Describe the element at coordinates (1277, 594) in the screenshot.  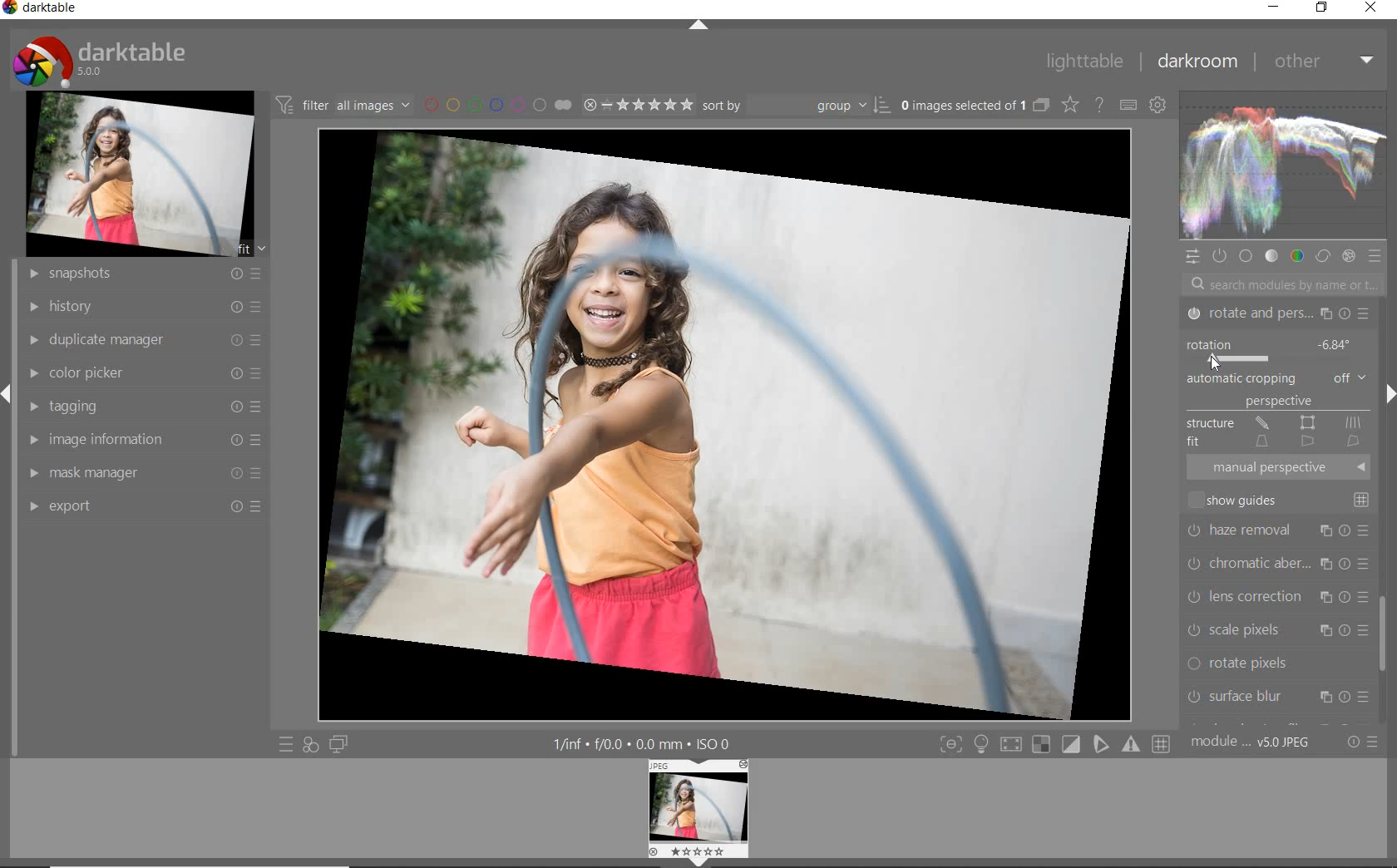
I see `lens correction` at that location.